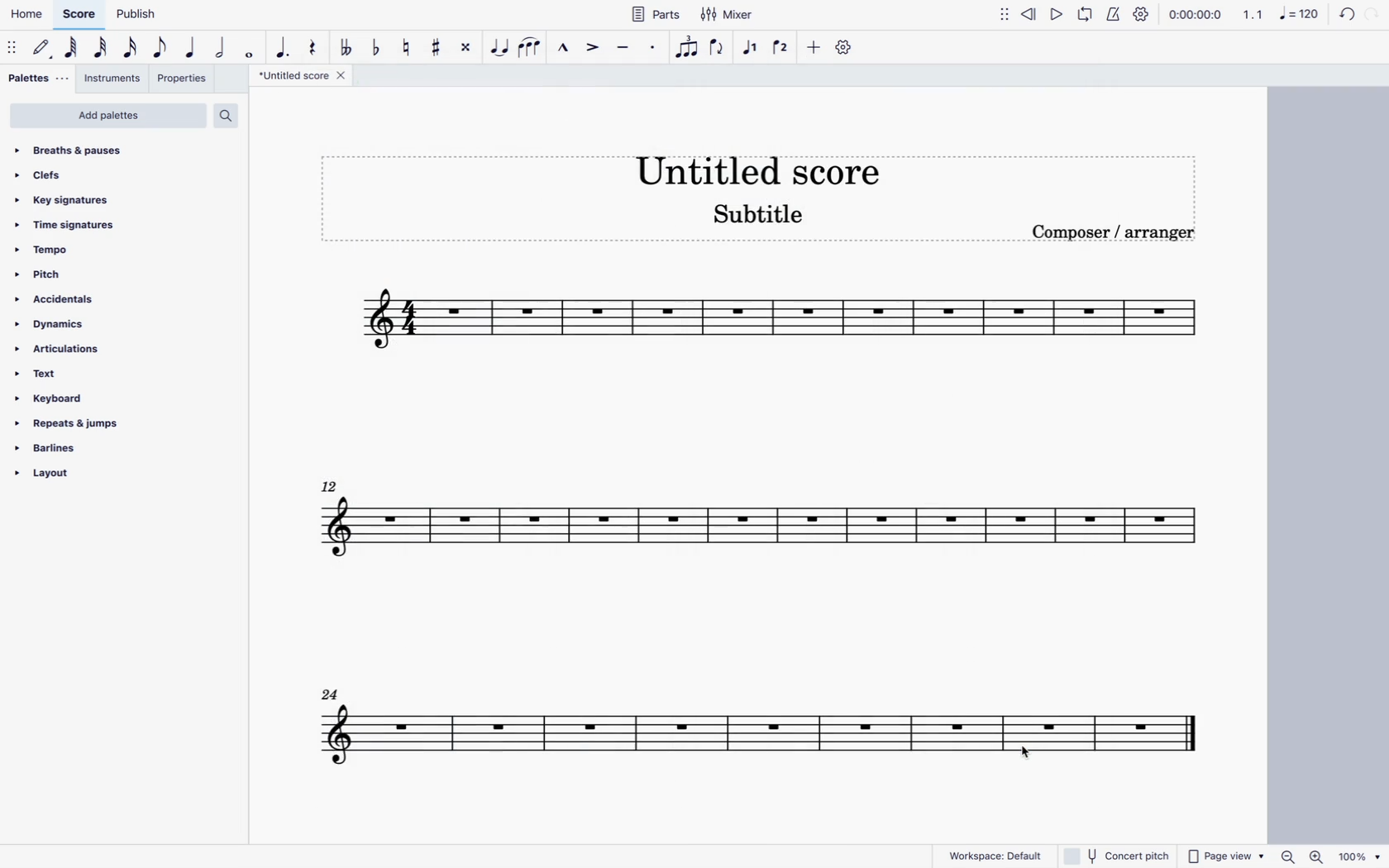  I want to click on eighth note, so click(161, 50).